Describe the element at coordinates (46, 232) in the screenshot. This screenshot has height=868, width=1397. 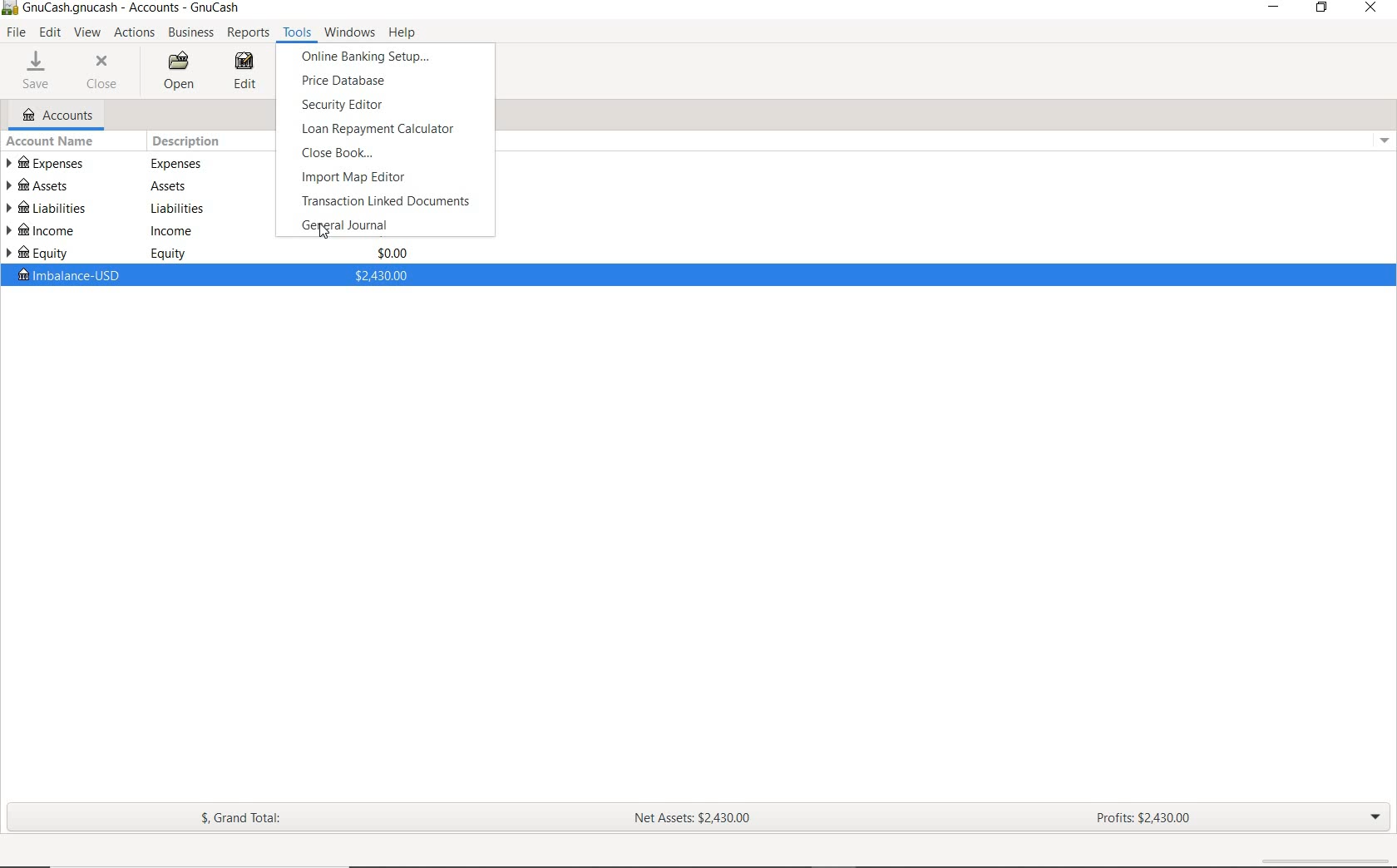
I see `INCOME` at that location.